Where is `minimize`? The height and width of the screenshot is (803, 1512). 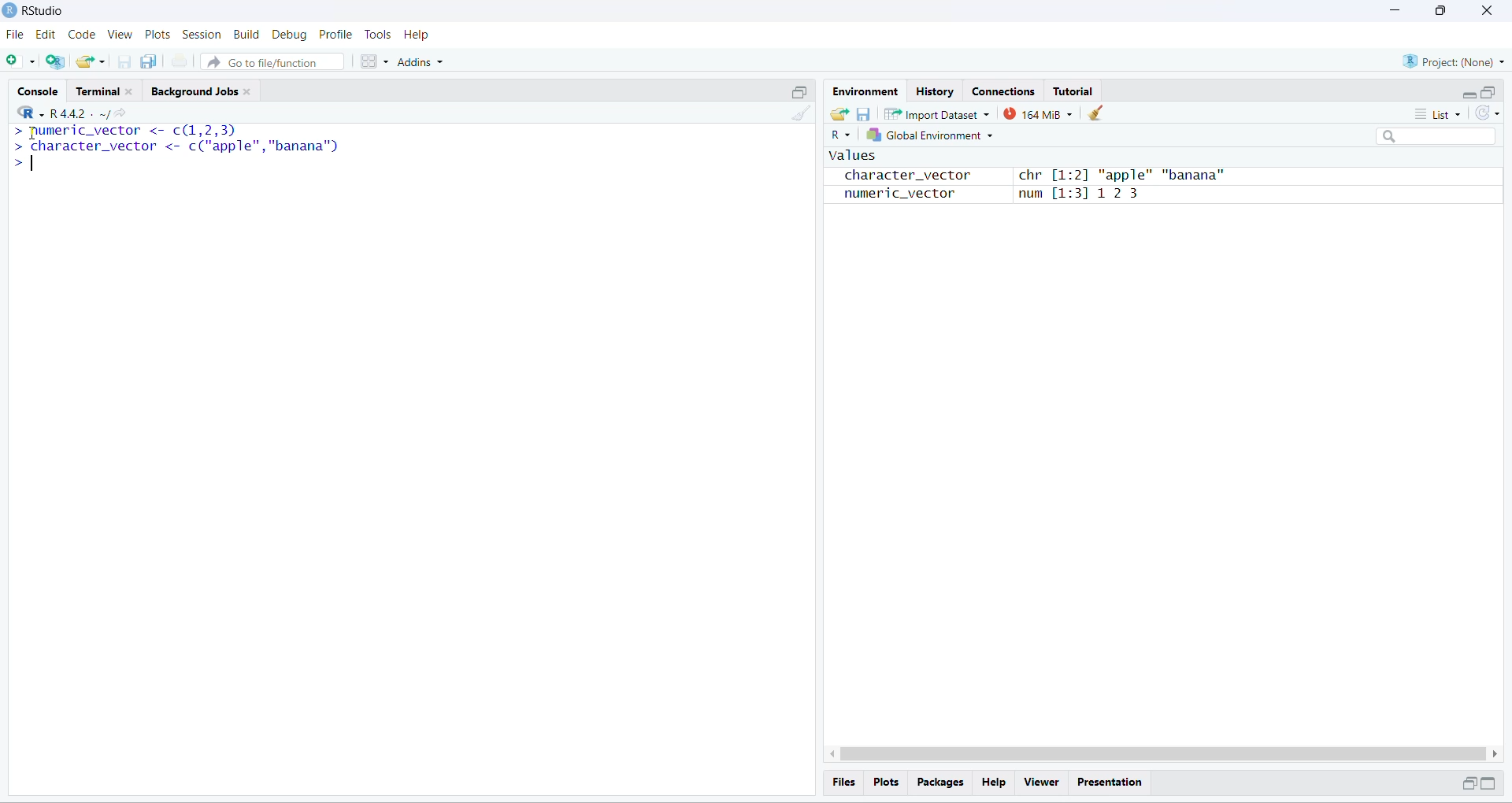 minimize is located at coordinates (1469, 96).